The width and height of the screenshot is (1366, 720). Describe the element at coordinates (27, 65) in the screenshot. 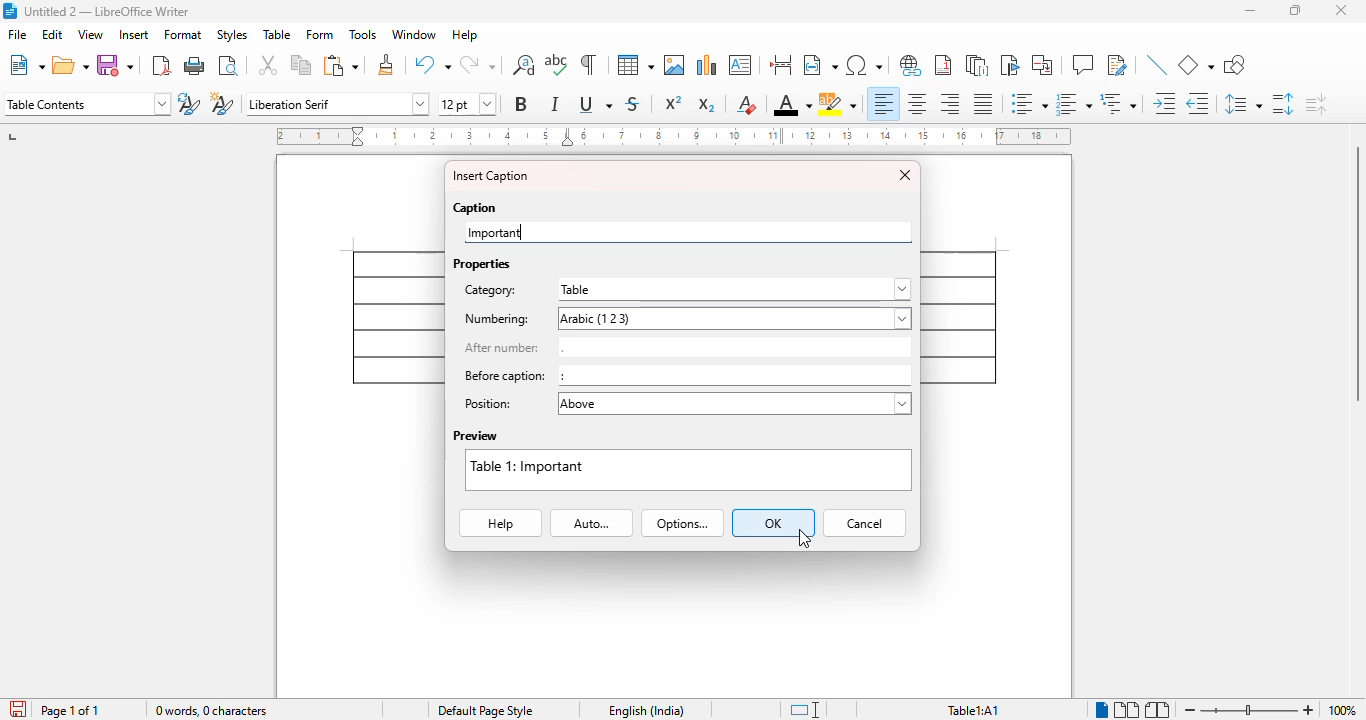

I see `new` at that location.